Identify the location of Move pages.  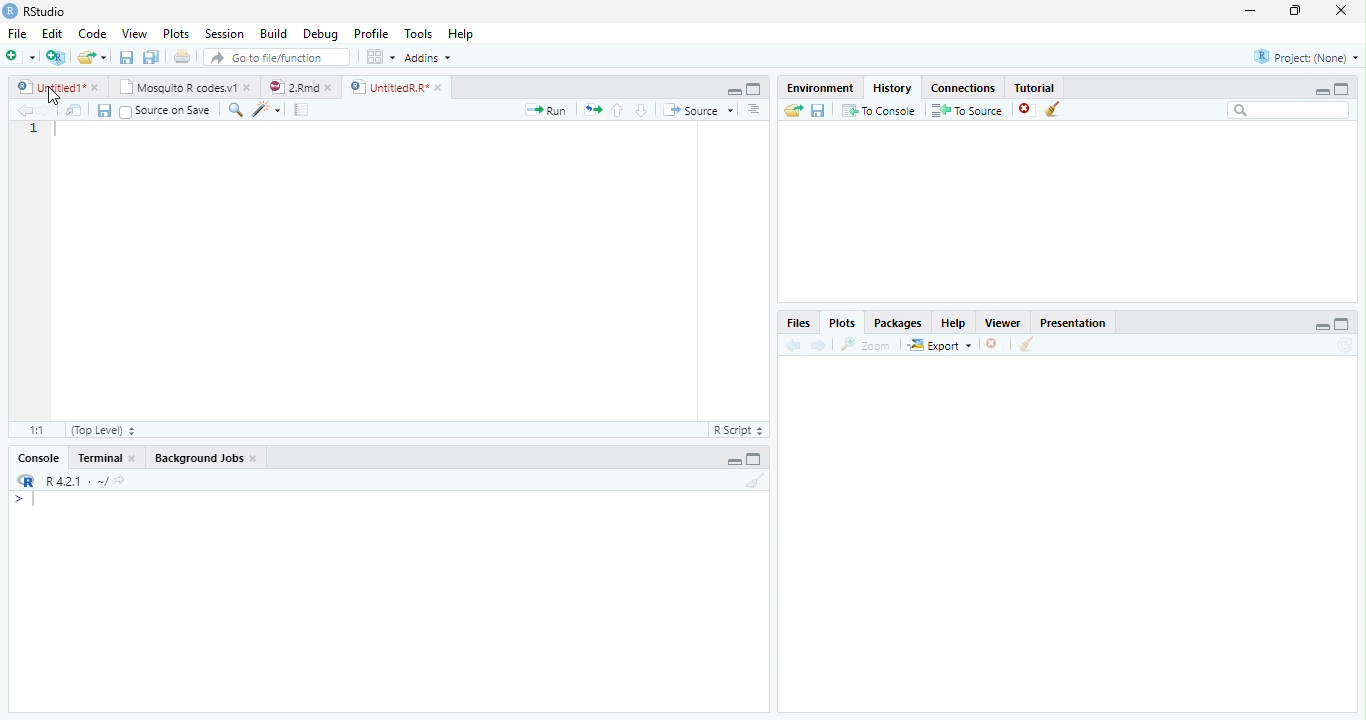
(590, 109).